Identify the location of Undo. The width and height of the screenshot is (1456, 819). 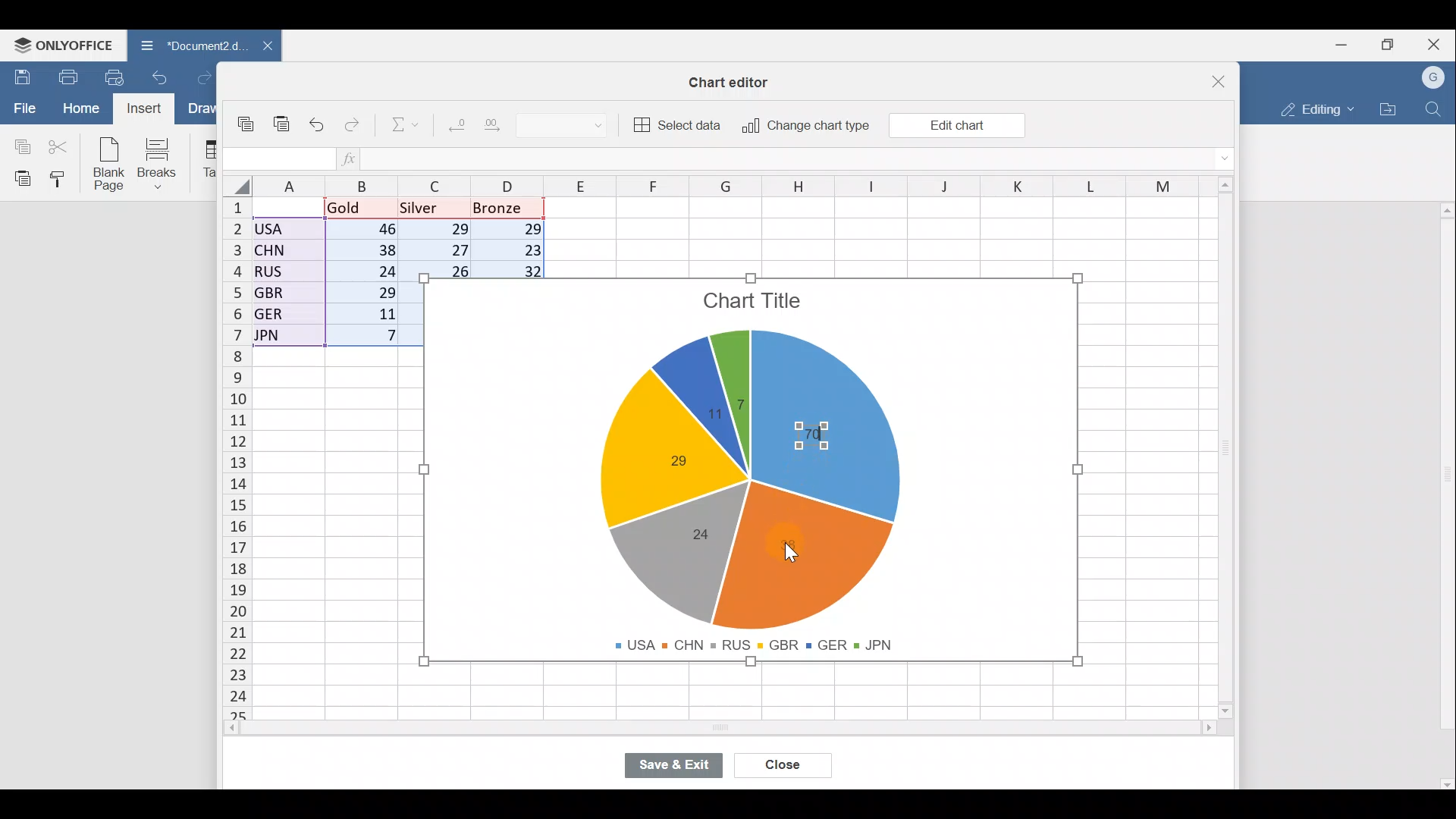
(320, 126).